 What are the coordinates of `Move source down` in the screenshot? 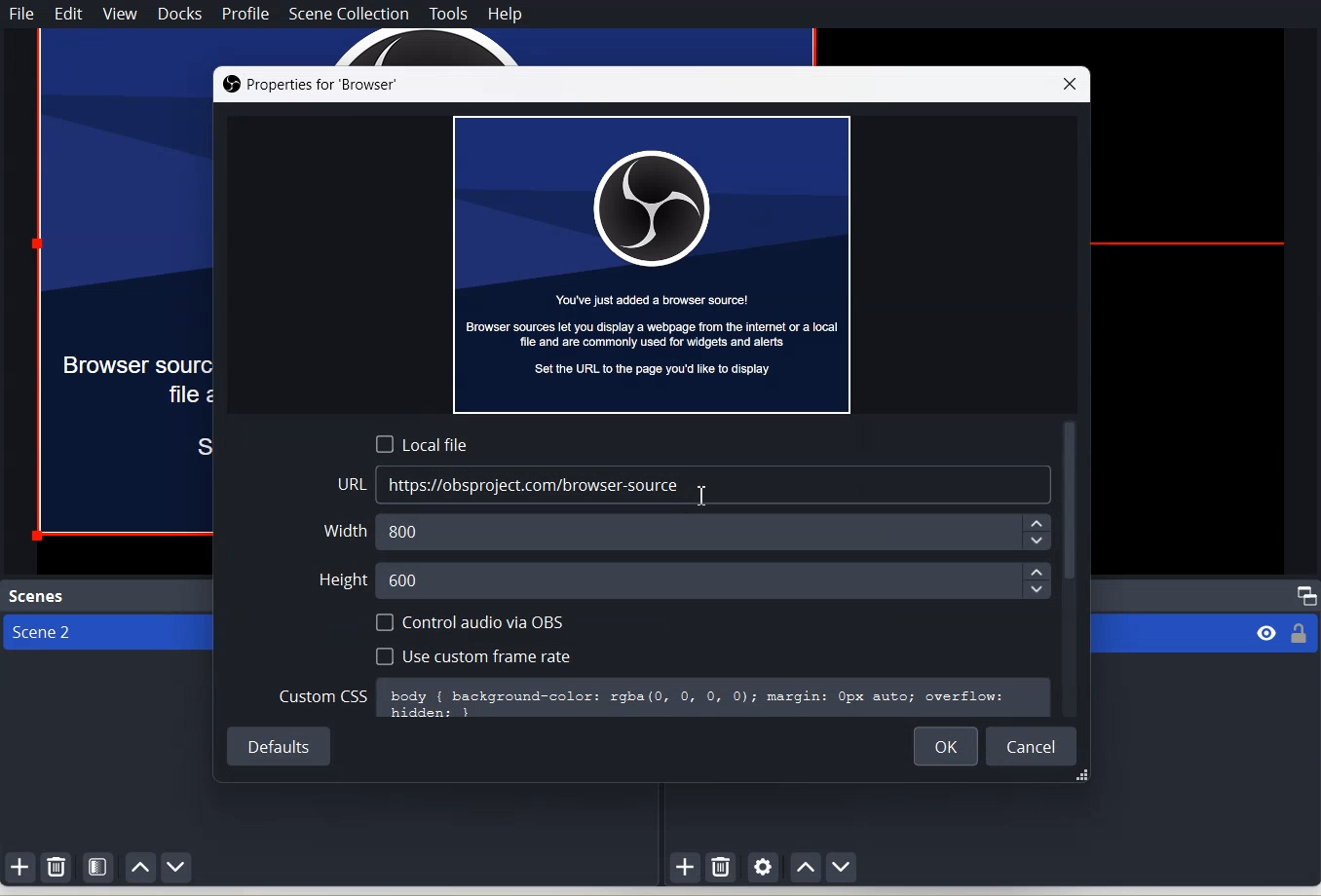 It's located at (843, 867).